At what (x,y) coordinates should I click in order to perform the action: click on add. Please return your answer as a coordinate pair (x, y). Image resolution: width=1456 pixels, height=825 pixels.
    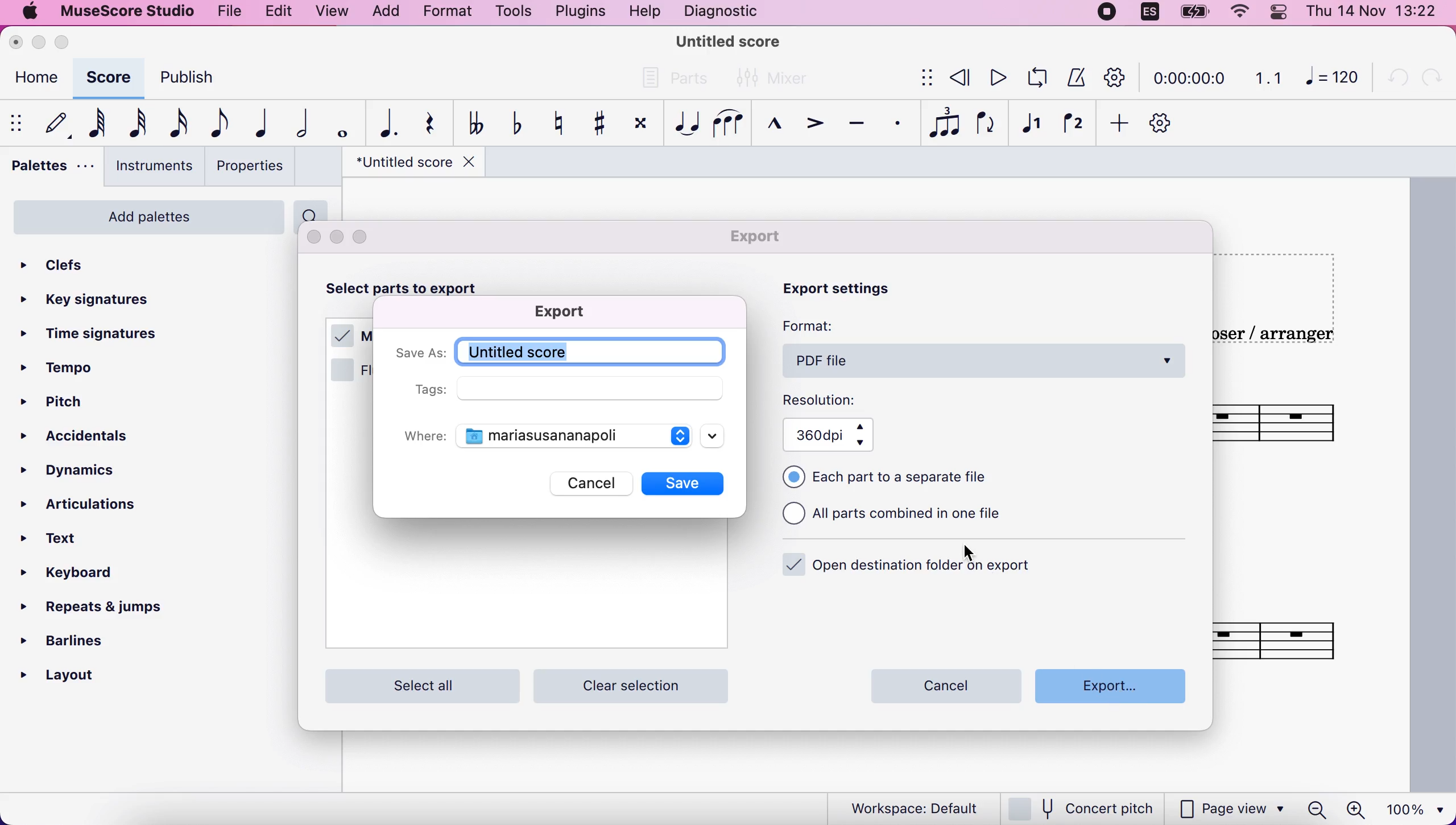
    Looking at the image, I should click on (391, 14).